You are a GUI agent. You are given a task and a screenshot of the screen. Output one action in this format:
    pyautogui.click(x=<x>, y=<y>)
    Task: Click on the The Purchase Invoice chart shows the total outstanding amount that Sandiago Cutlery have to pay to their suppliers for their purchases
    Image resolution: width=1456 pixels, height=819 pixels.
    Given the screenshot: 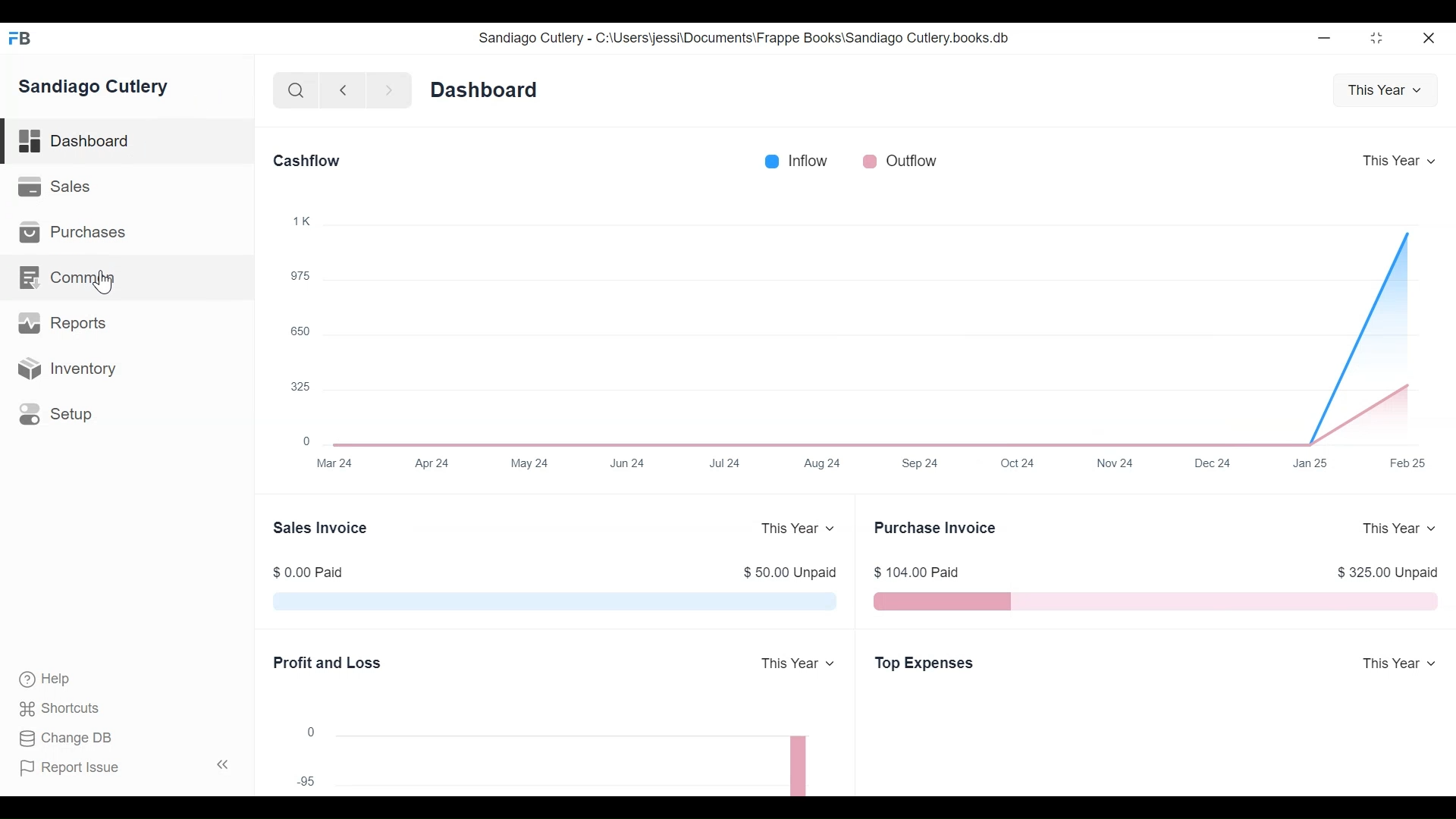 What is the action you would take?
    pyautogui.click(x=1158, y=602)
    